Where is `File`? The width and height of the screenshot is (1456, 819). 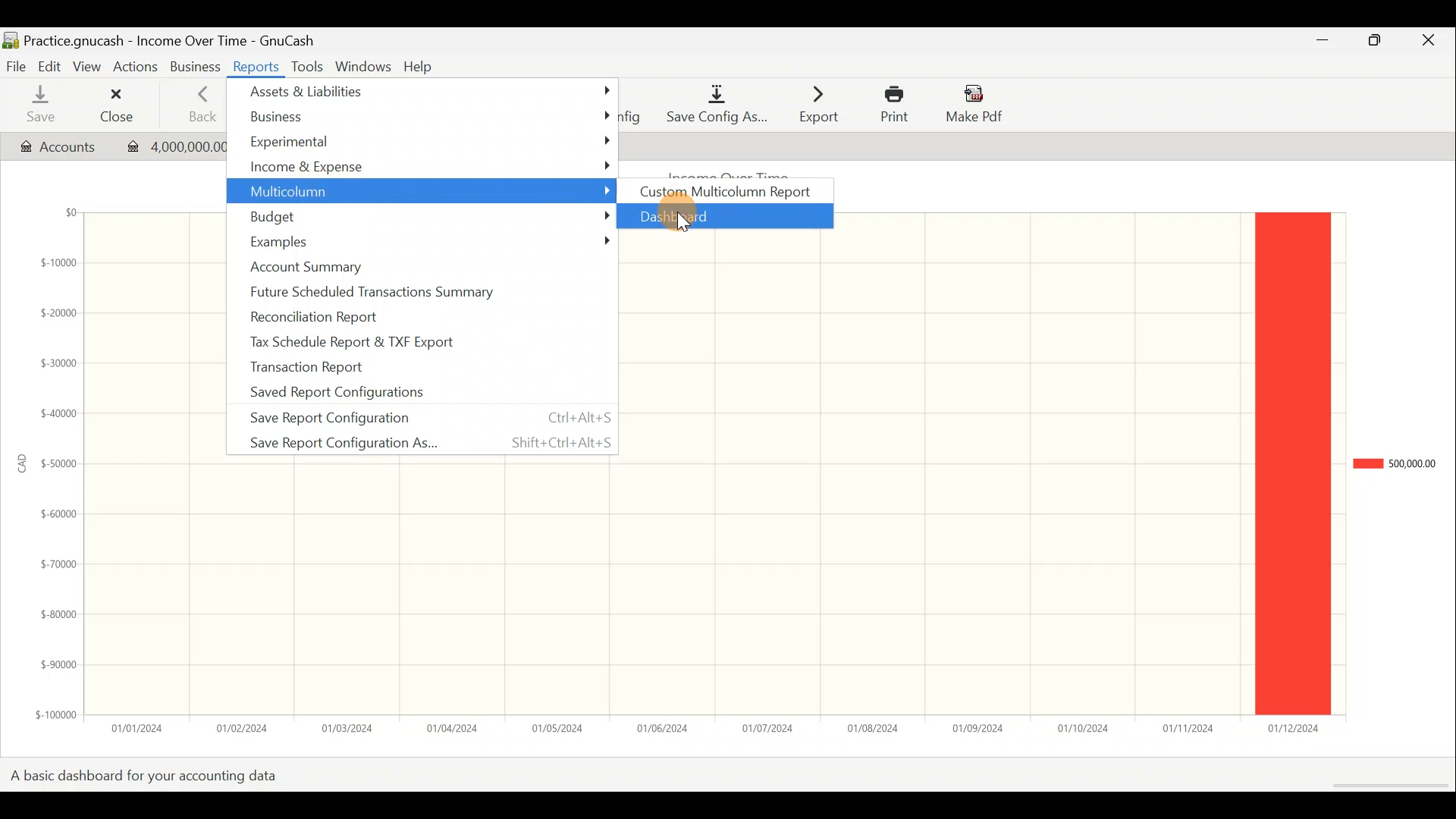 File is located at coordinates (17, 65).